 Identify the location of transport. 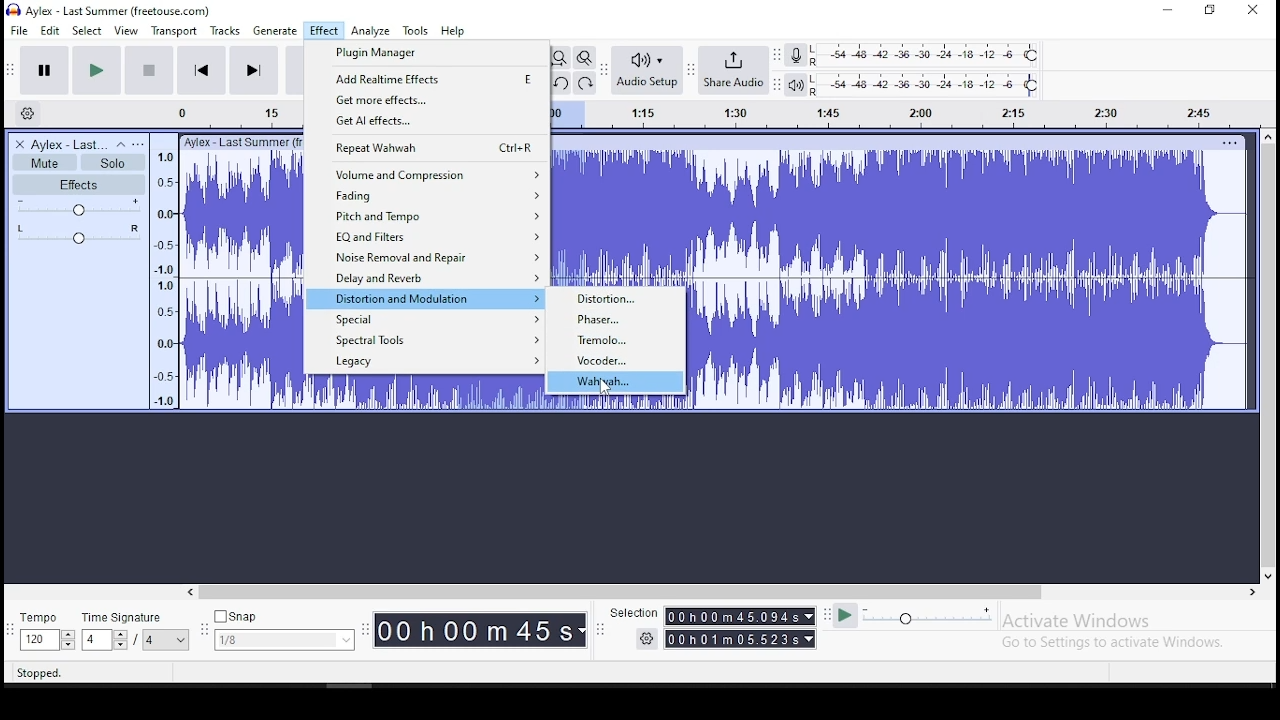
(173, 30).